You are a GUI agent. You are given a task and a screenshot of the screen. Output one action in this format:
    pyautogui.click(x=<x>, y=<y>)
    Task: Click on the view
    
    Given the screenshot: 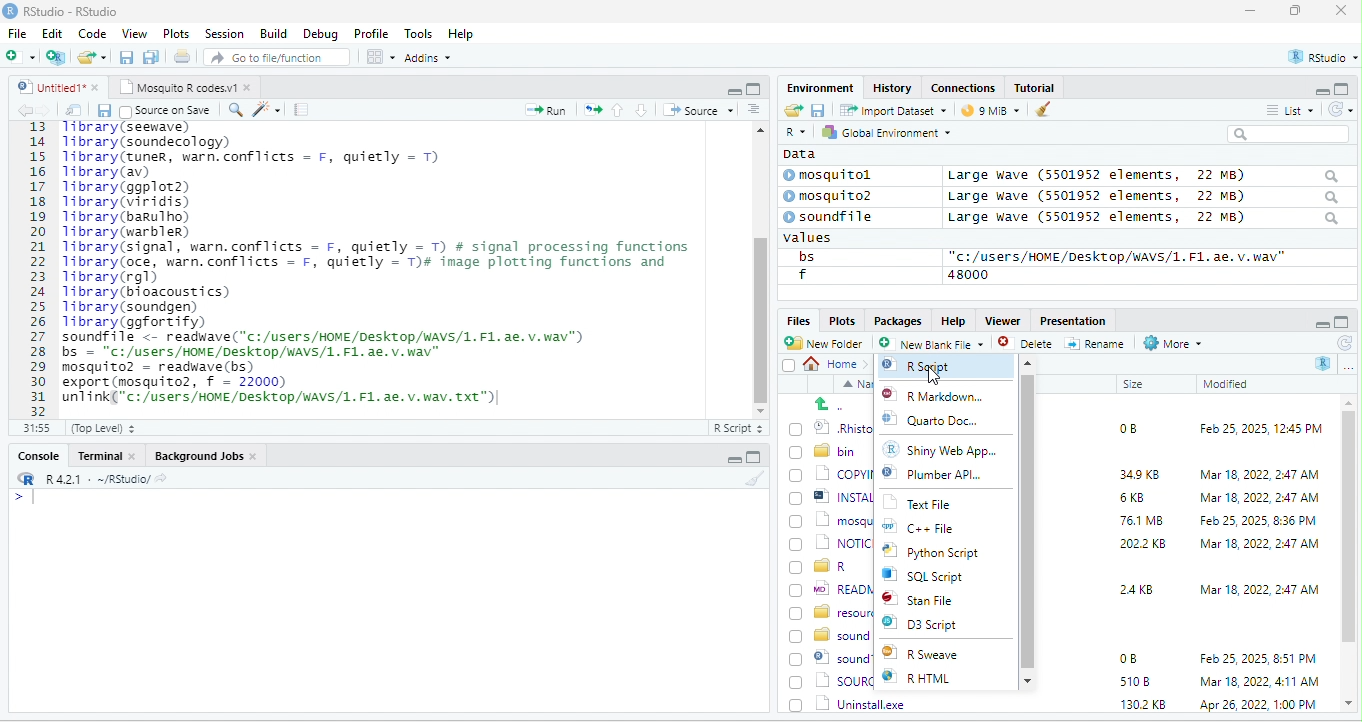 What is the action you would take?
    pyautogui.click(x=380, y=57)
    